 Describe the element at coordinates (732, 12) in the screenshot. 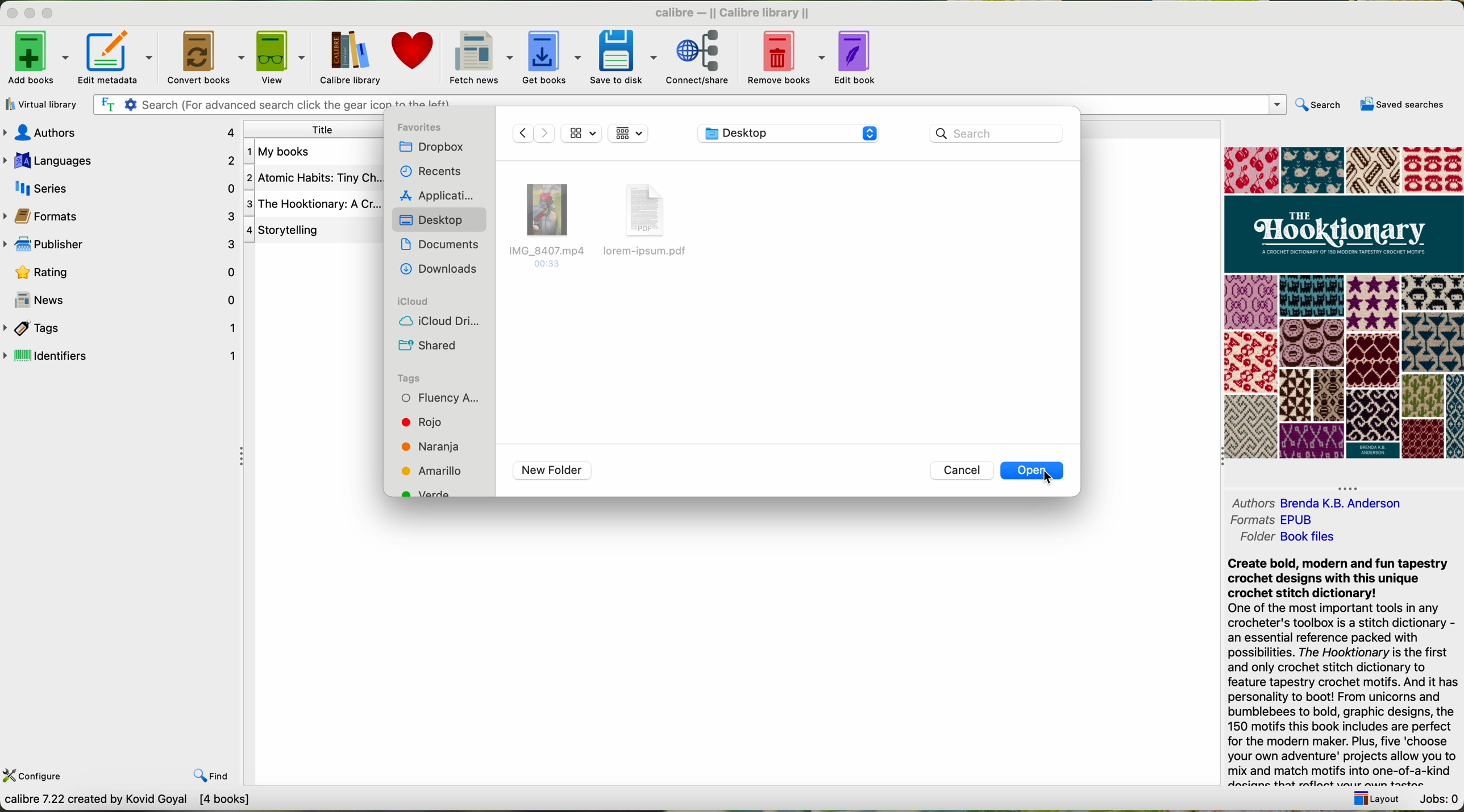

I see `Calibre library` at that location.